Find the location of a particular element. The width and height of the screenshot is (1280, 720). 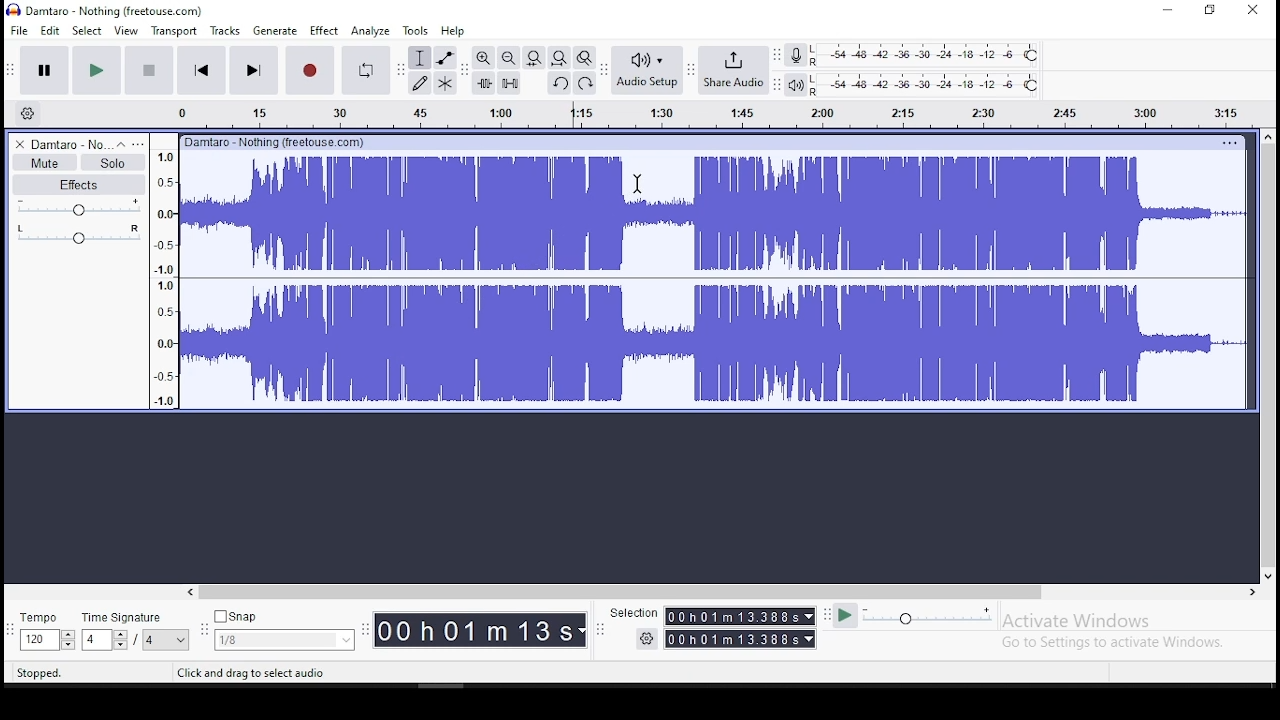

tempo is located at coordinates (42, 617).